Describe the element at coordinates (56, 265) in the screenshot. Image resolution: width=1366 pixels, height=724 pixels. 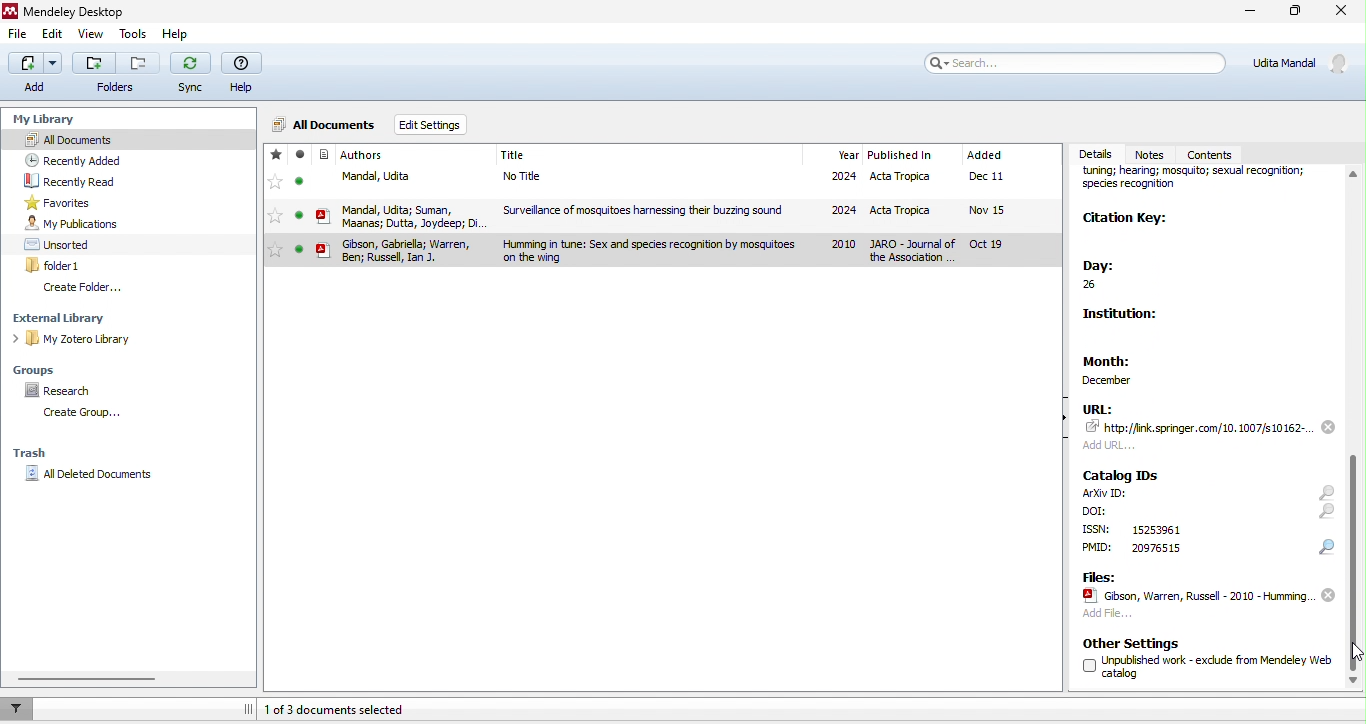
I see `folder 1` at that location.